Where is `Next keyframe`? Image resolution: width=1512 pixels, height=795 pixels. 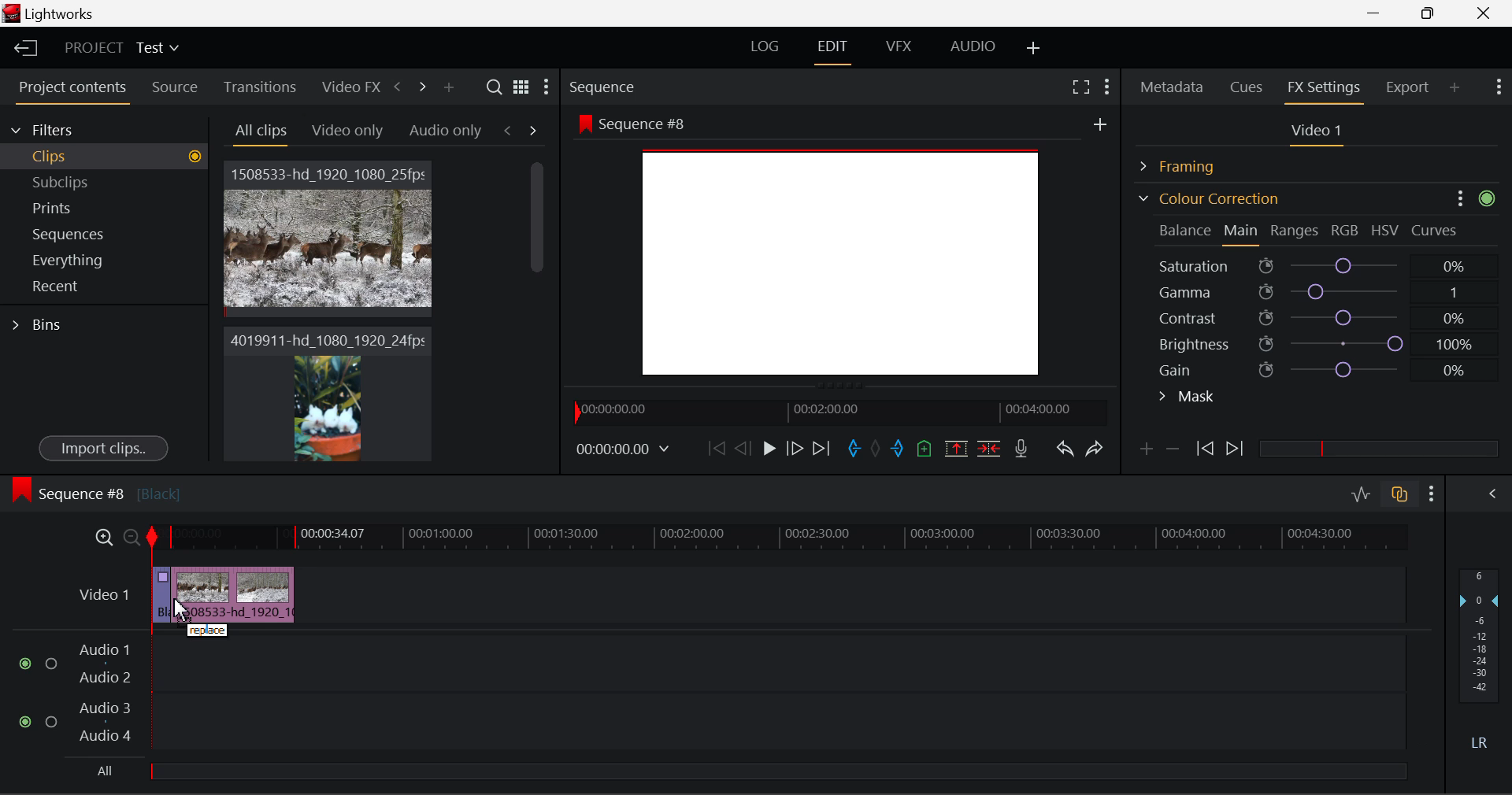 Next keyframe is located at coordinates (1236, 449).